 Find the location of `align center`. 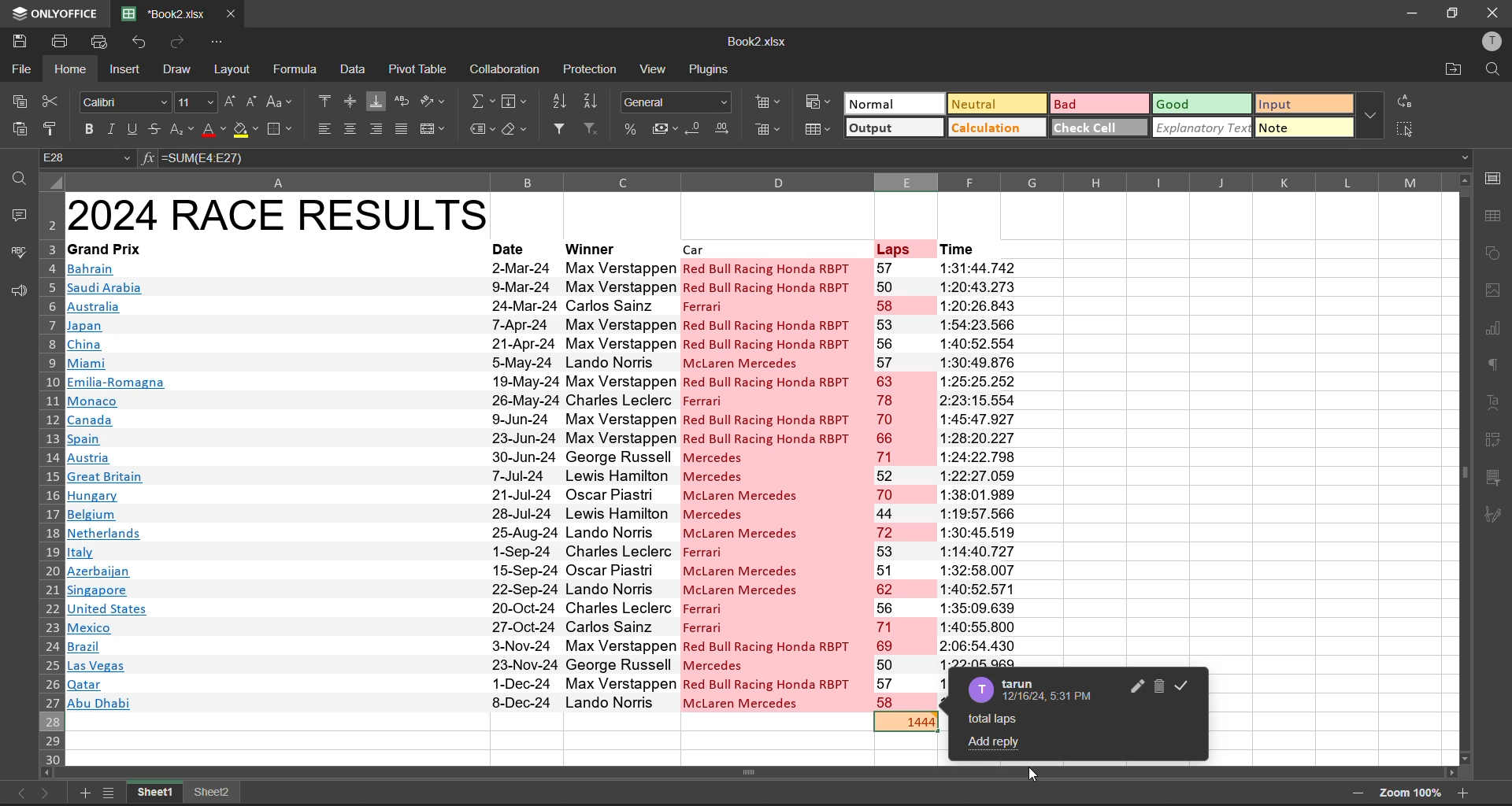

align center is located at coordinates (354, 128).